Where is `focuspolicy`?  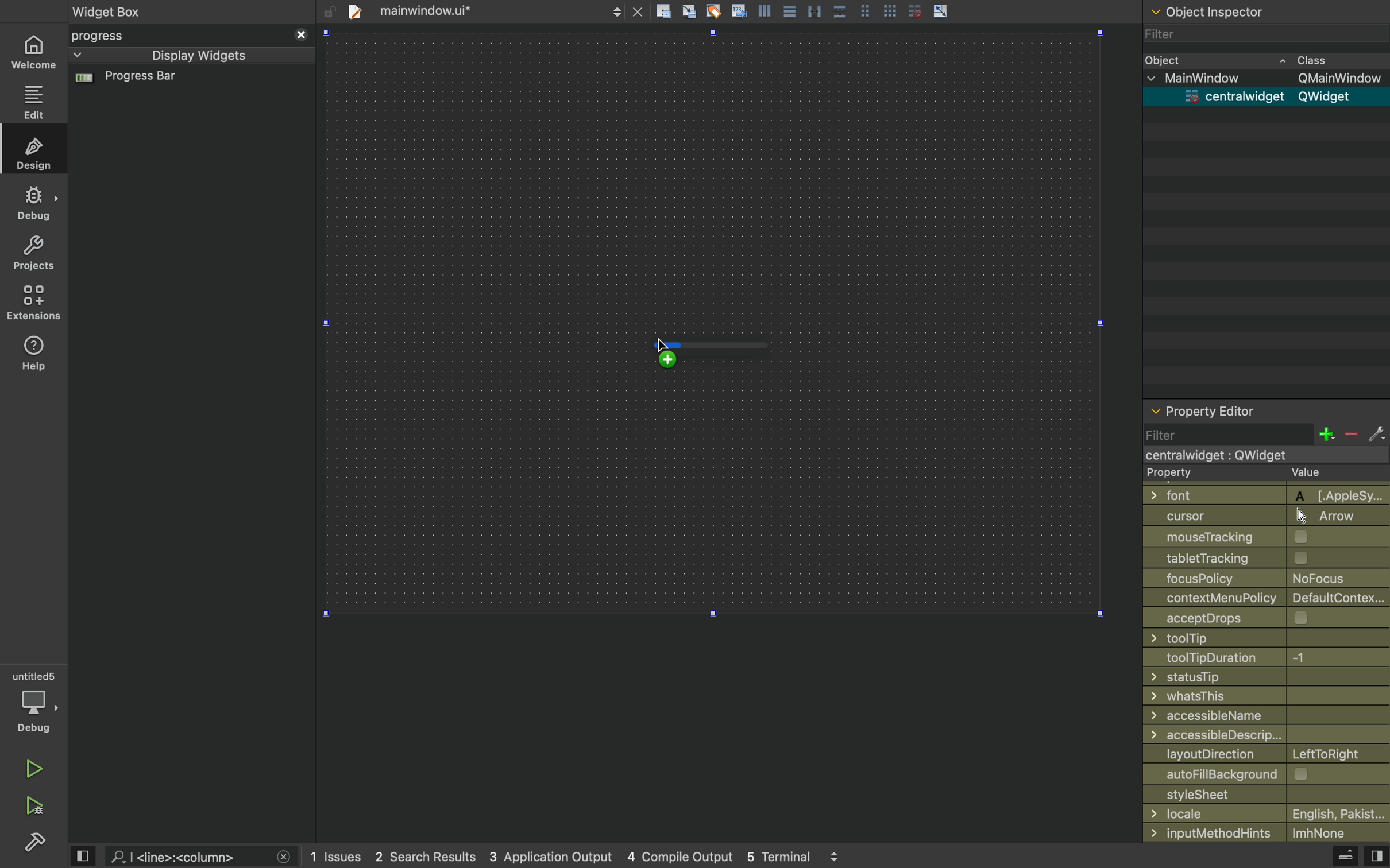
focuspolicy is located at coordinates (1257, 577).